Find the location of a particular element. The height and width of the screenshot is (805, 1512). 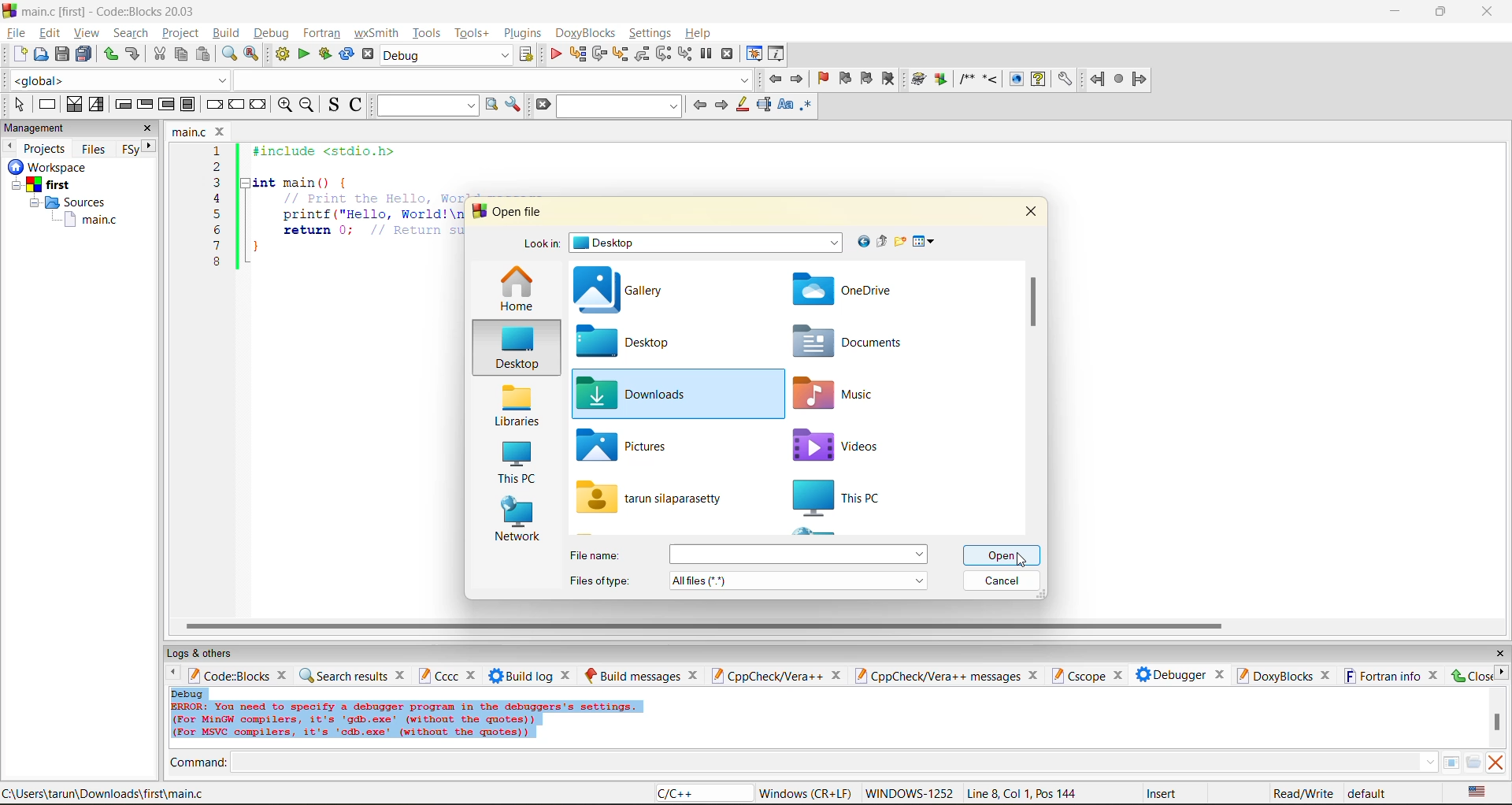

cscope is located at coordinates (1077, 674).